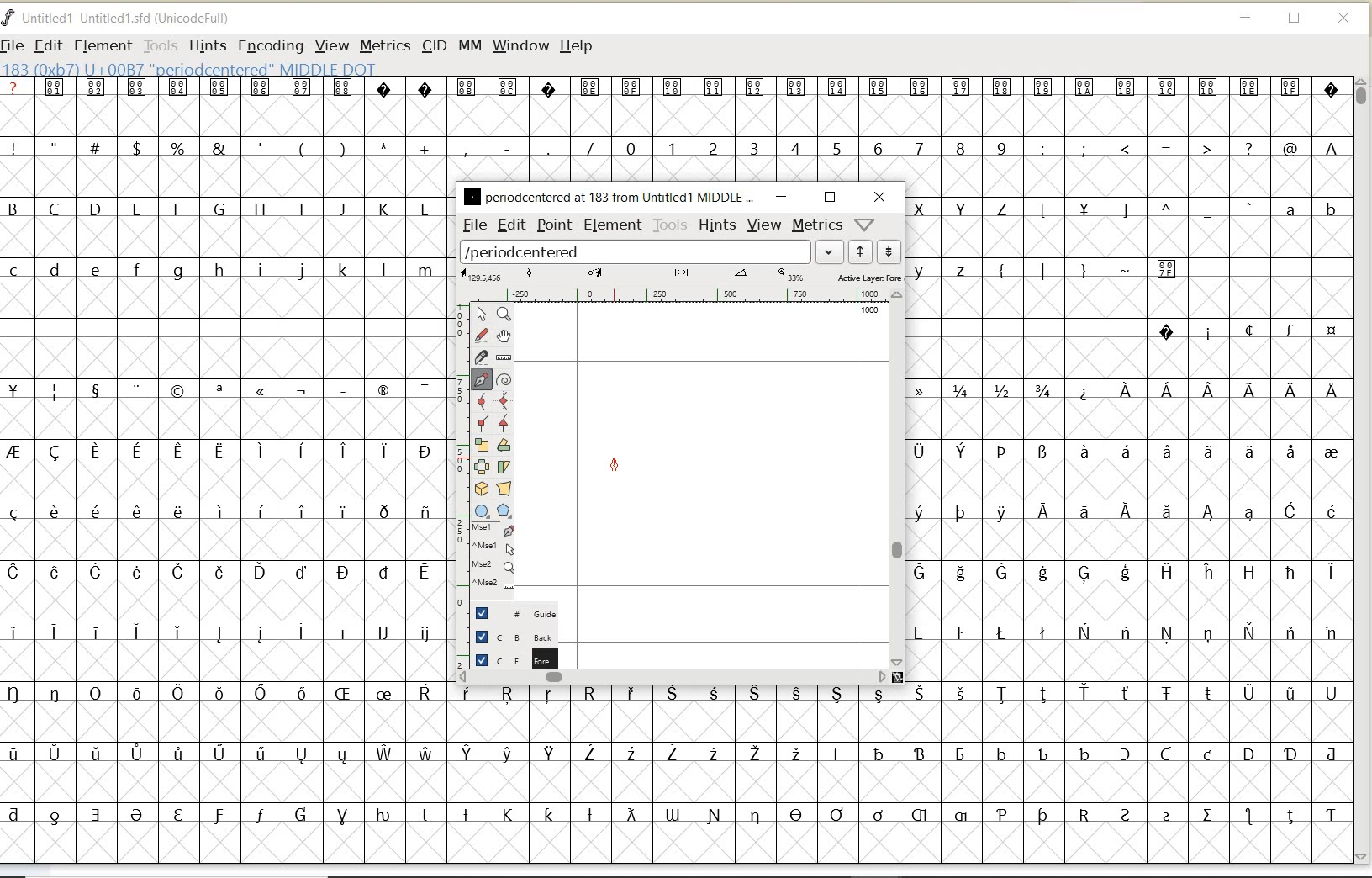 This screenshot has width=1372, height=878. I want to click on EDIT, so click(48, 47).